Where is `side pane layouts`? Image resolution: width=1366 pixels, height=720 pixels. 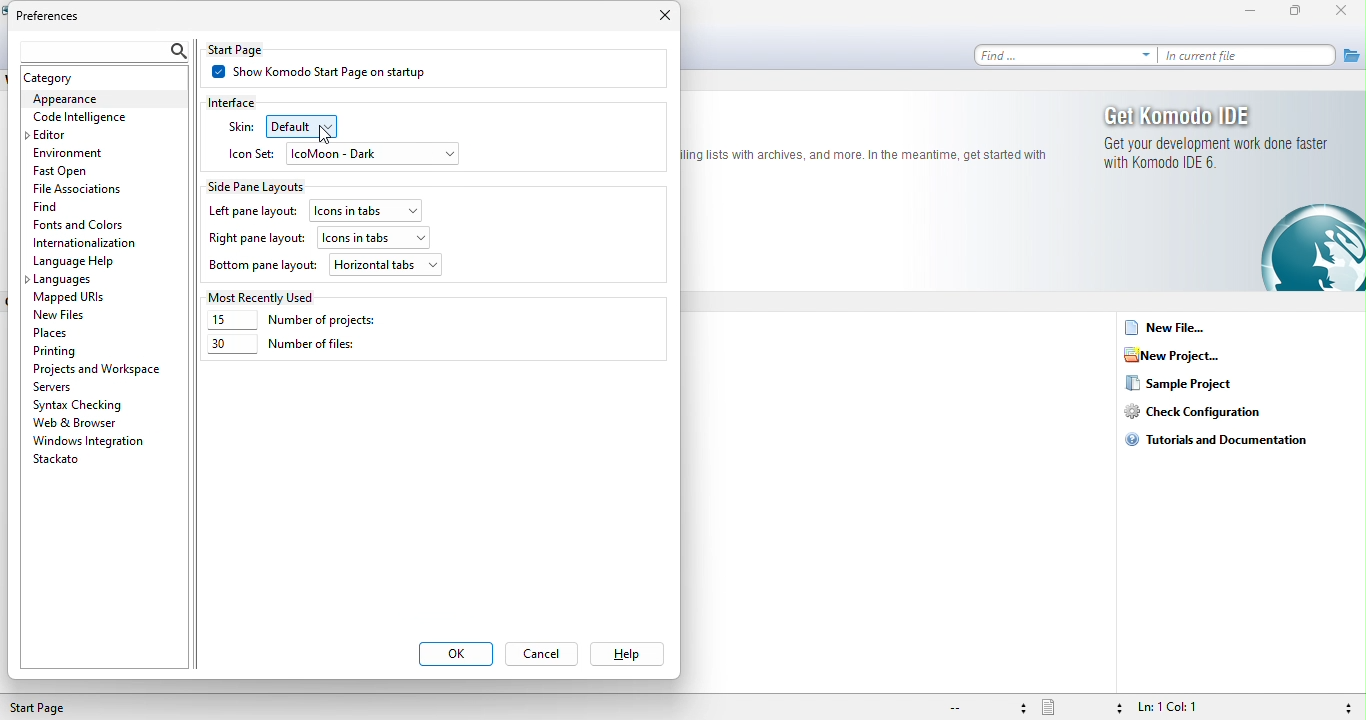
side pane layouts is located at coordinates (266, 185).